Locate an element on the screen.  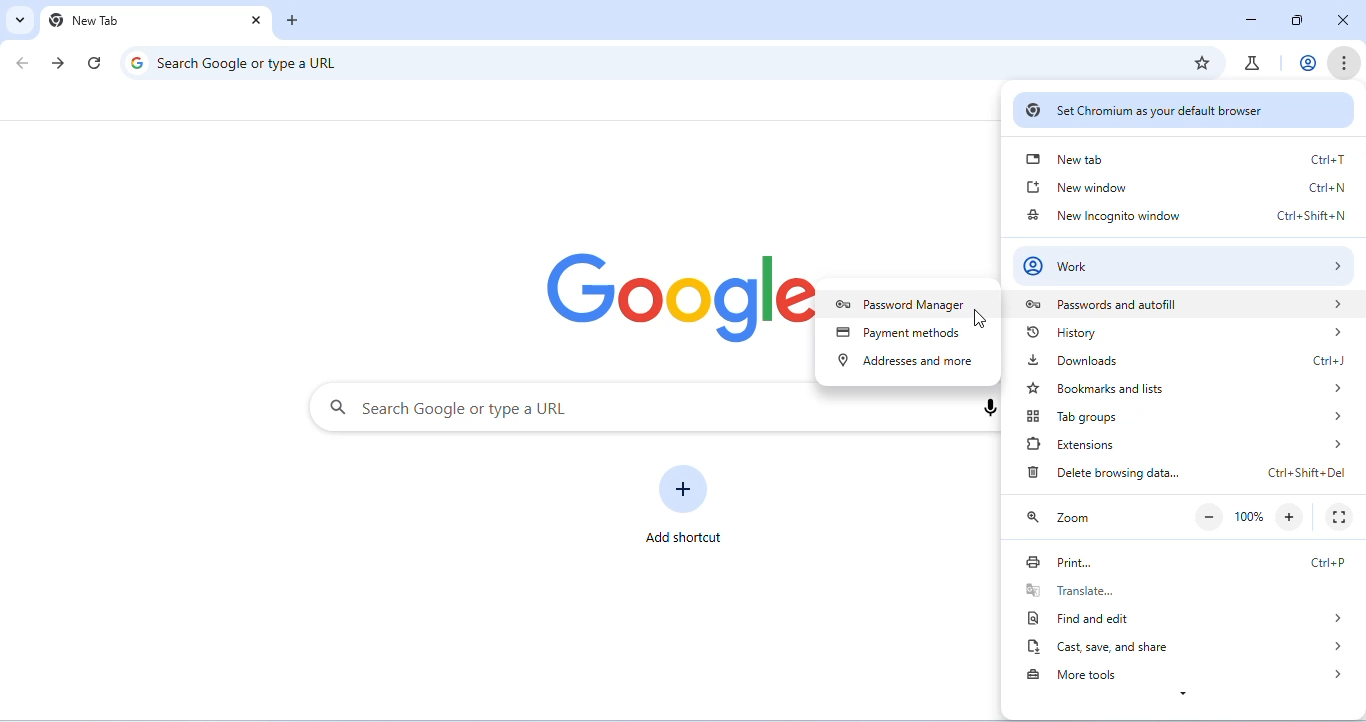
passwords and autofill is located at coordinates (1183, 303).